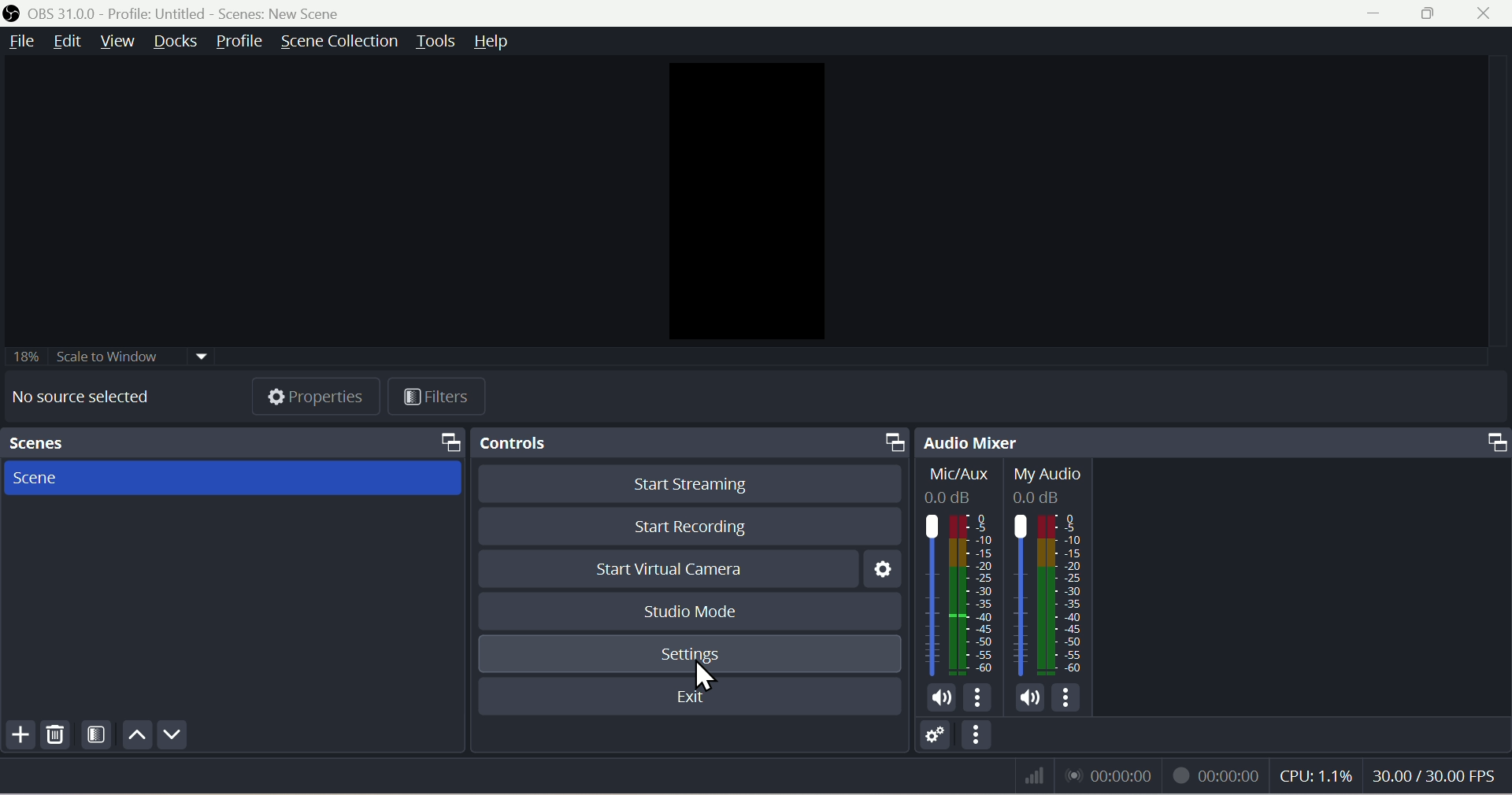 The height and width of the screenshot is (795, 1512). I want to click on Mic/Aux, so click(962, 570).